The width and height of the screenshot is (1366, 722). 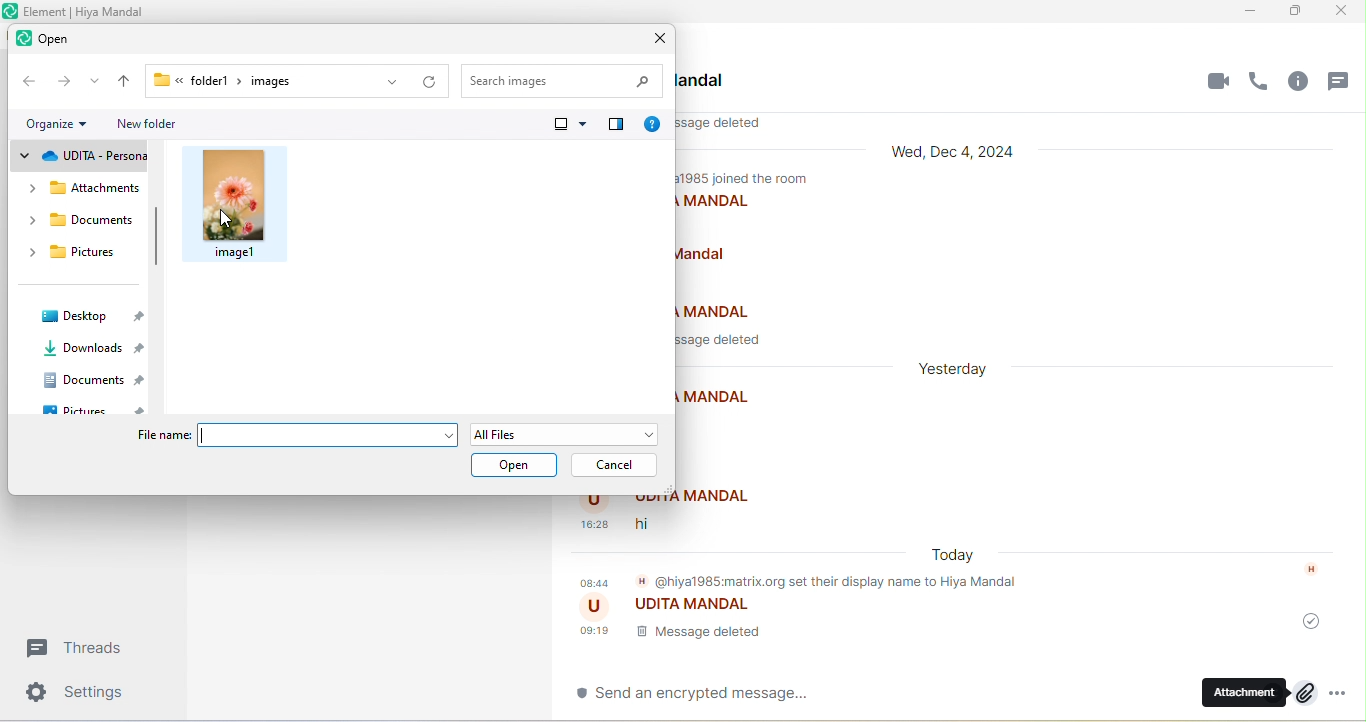 I want to click on time, so click(x=596, y=526).